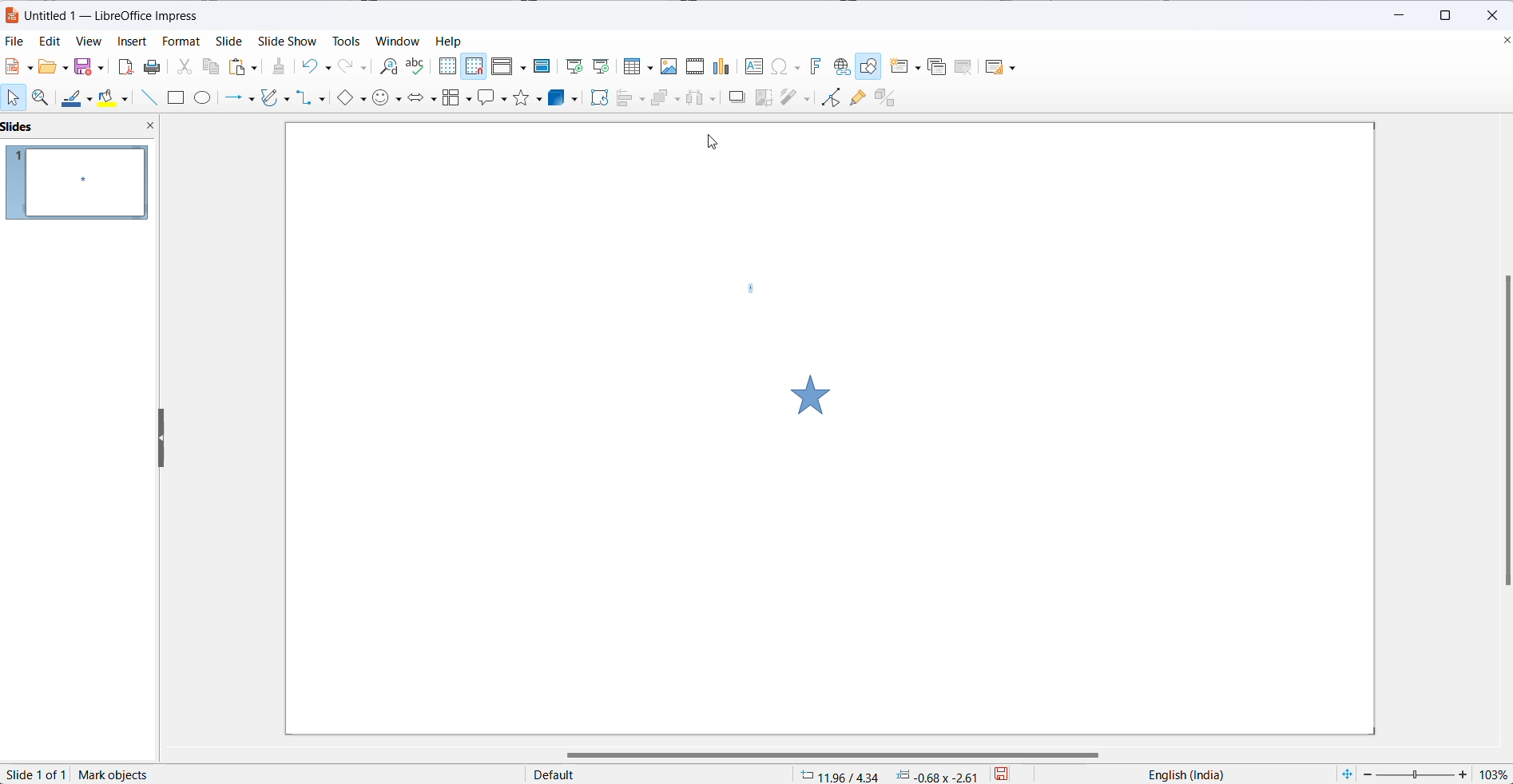  I want to click on start from first slide, so click(570, 65).